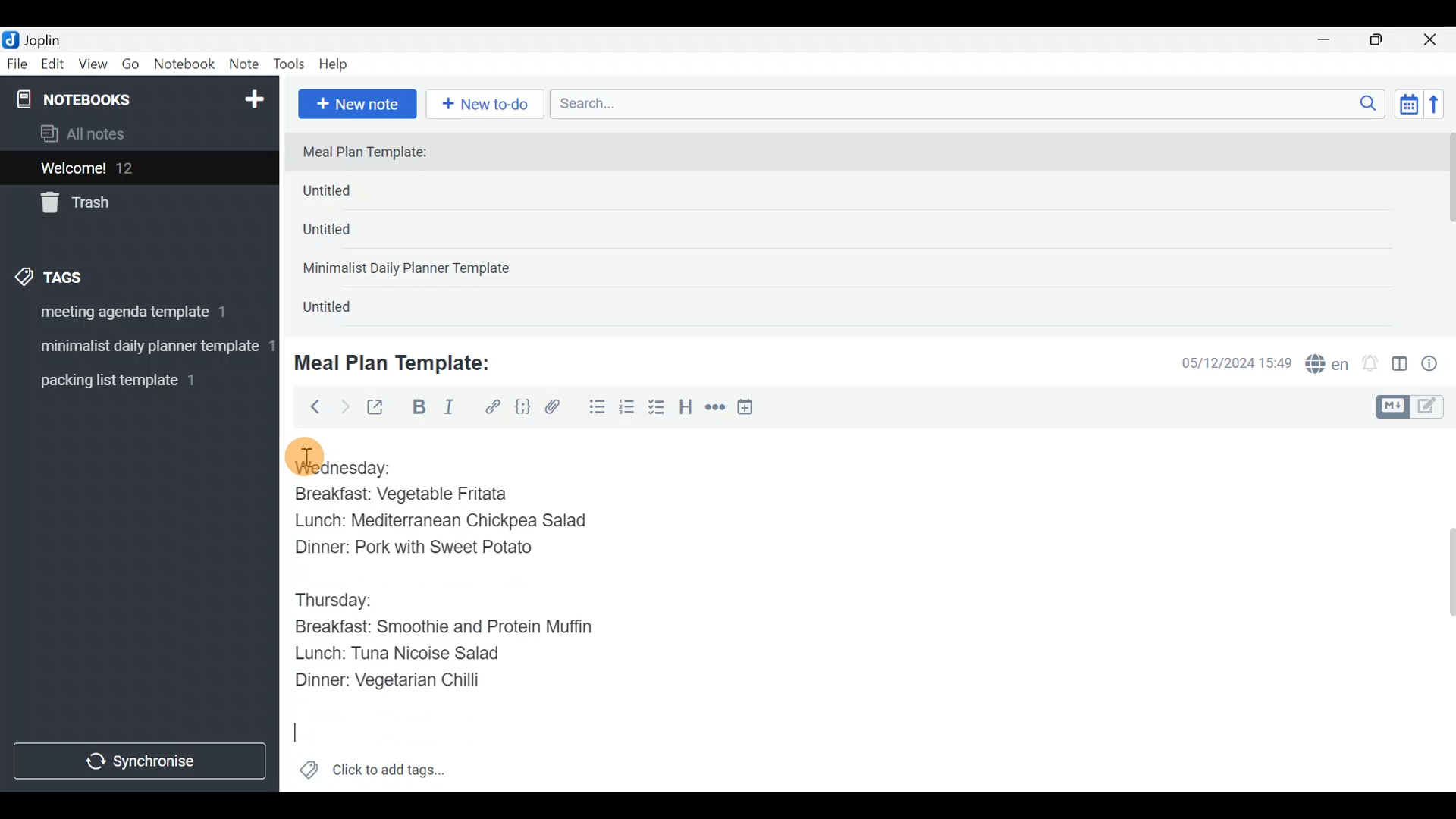 The height and width of the screenshot is (819, 1456). I want to click on Tag 3, so click(134, 380).